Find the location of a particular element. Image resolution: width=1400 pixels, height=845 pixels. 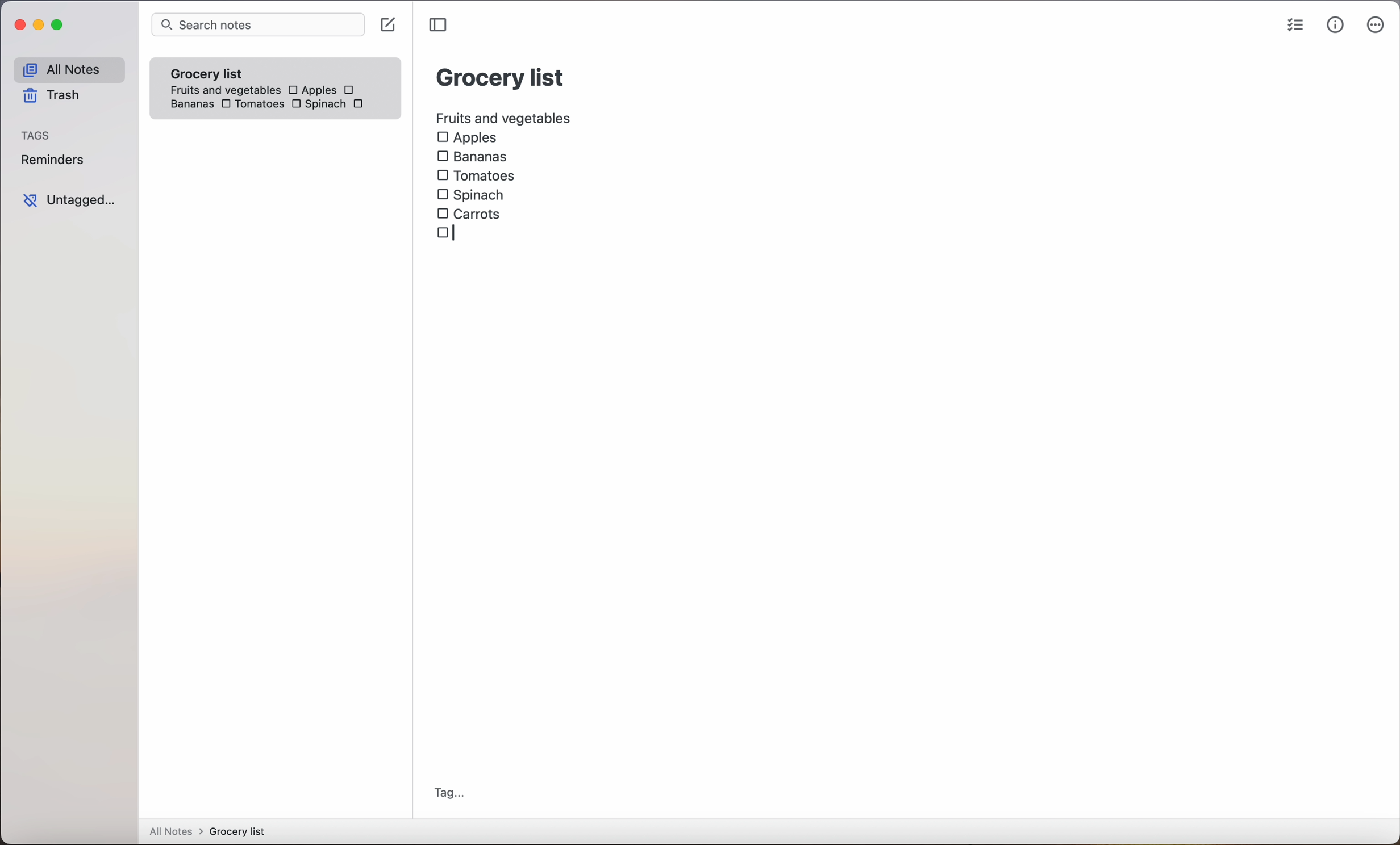

tag is located at coordinates (449, 793).